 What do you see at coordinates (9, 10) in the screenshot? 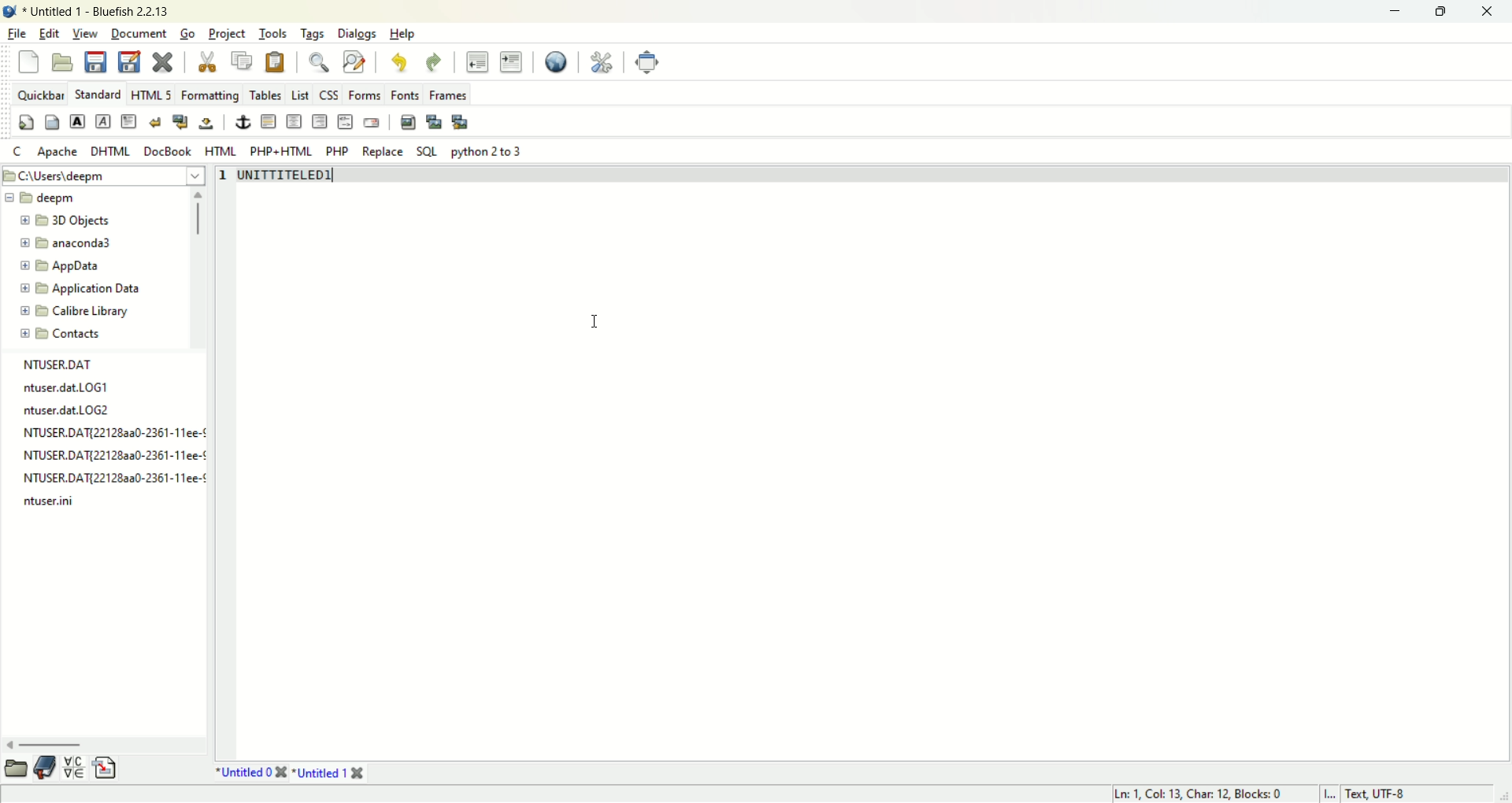
I see `logo` at bounding box center [9, 10].